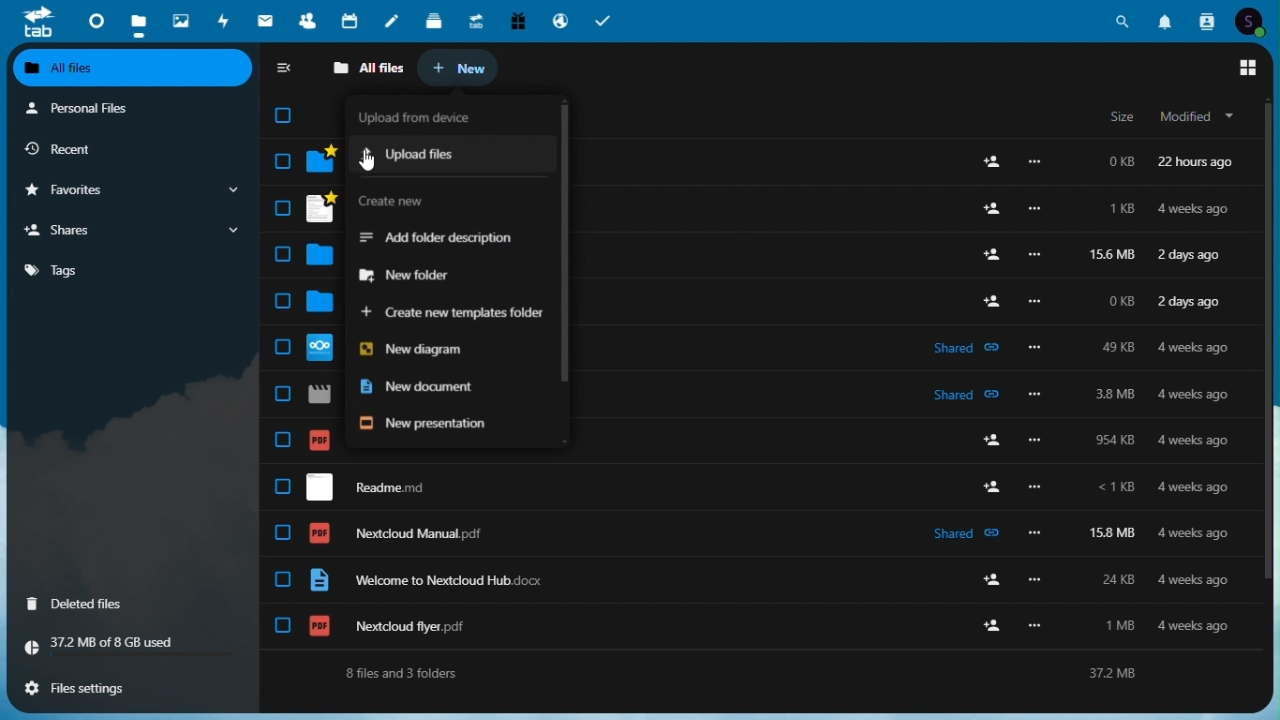  Describe the element at coordinates (1191, 304) in the screenshot. I see `2 days ago` at that location.